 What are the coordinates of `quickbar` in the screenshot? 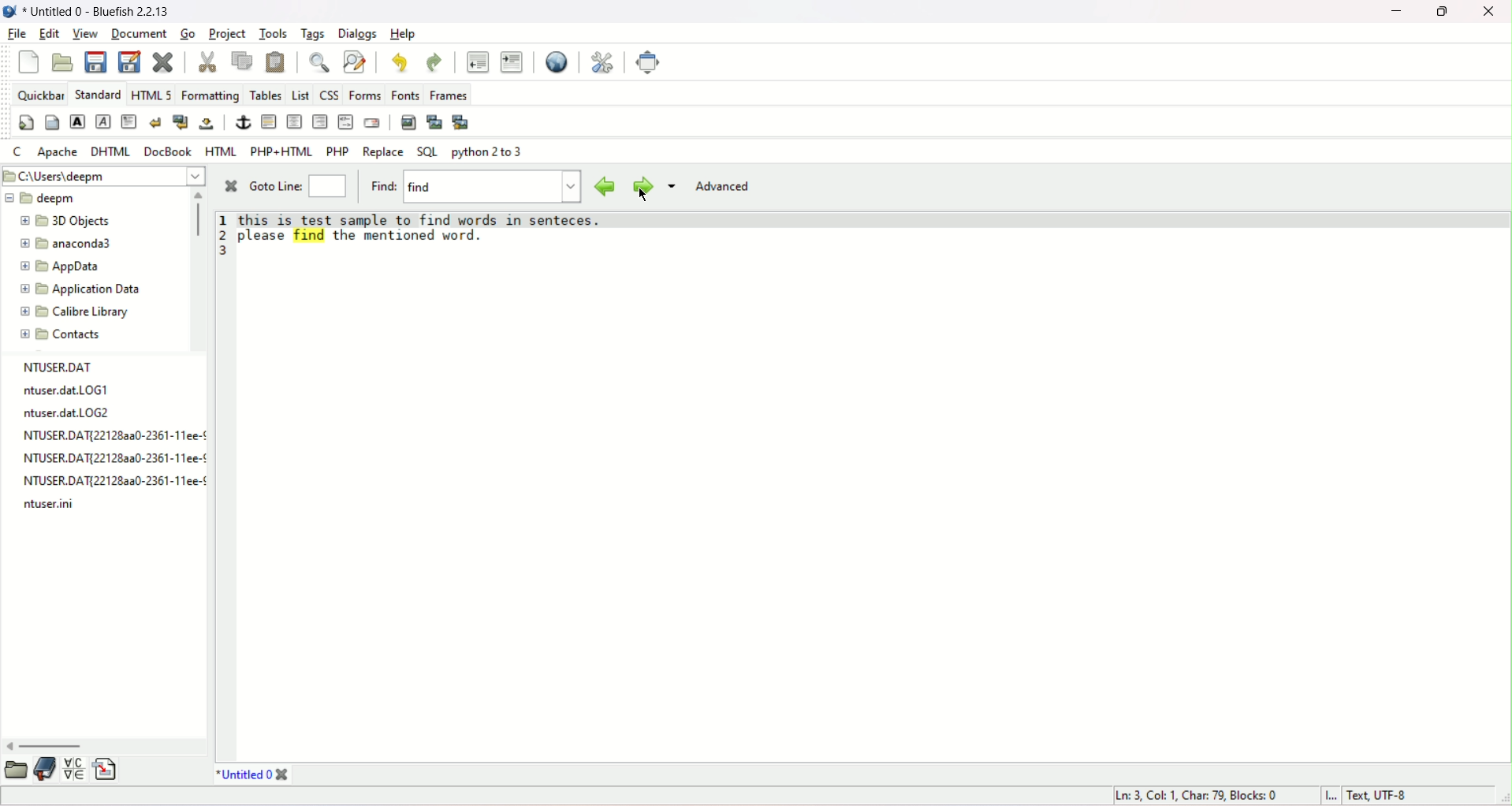 It's located at (40, 94).